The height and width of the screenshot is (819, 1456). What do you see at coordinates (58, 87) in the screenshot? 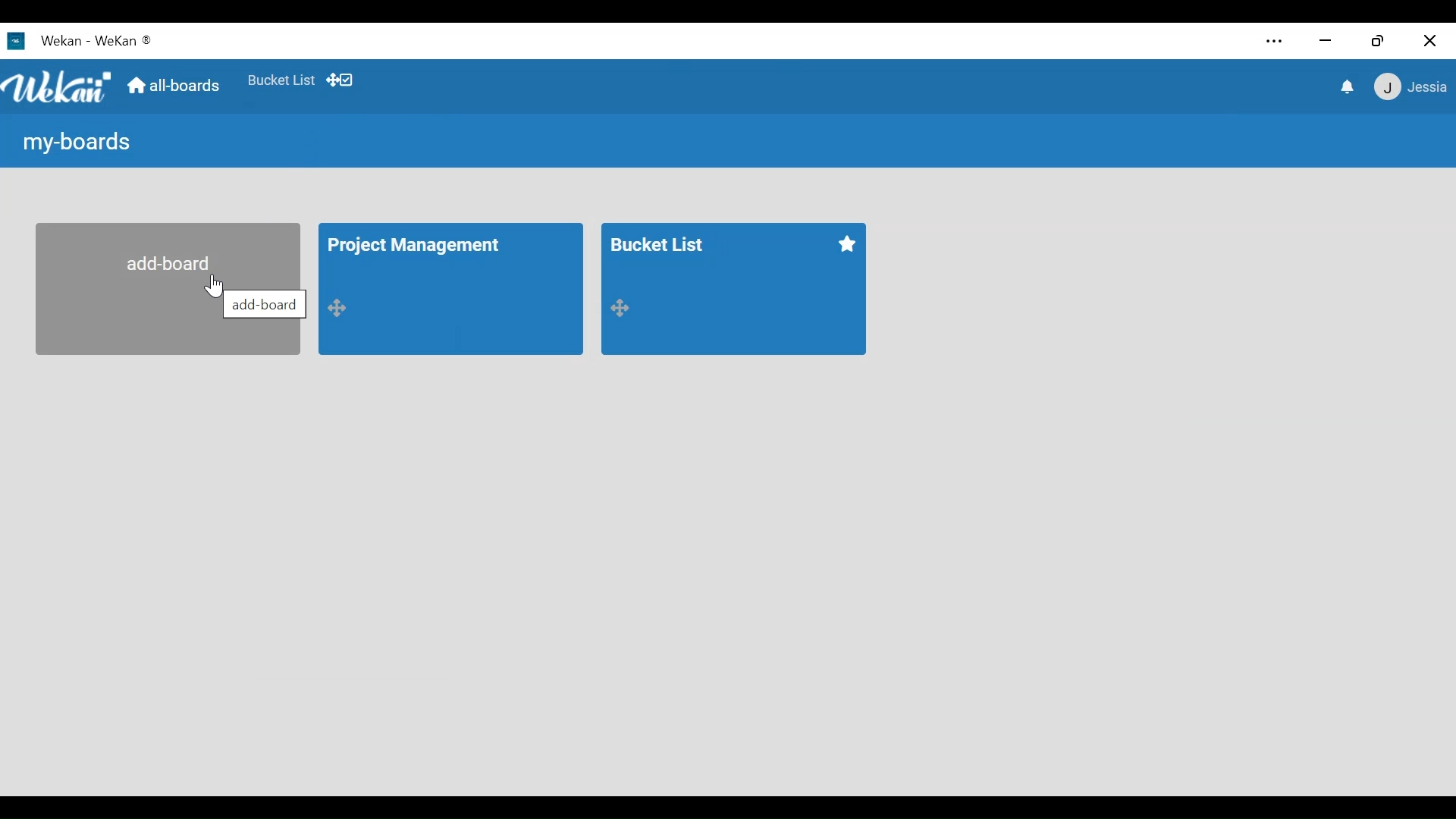
I see `Wekan  logo` at bounding box center [58, 87].